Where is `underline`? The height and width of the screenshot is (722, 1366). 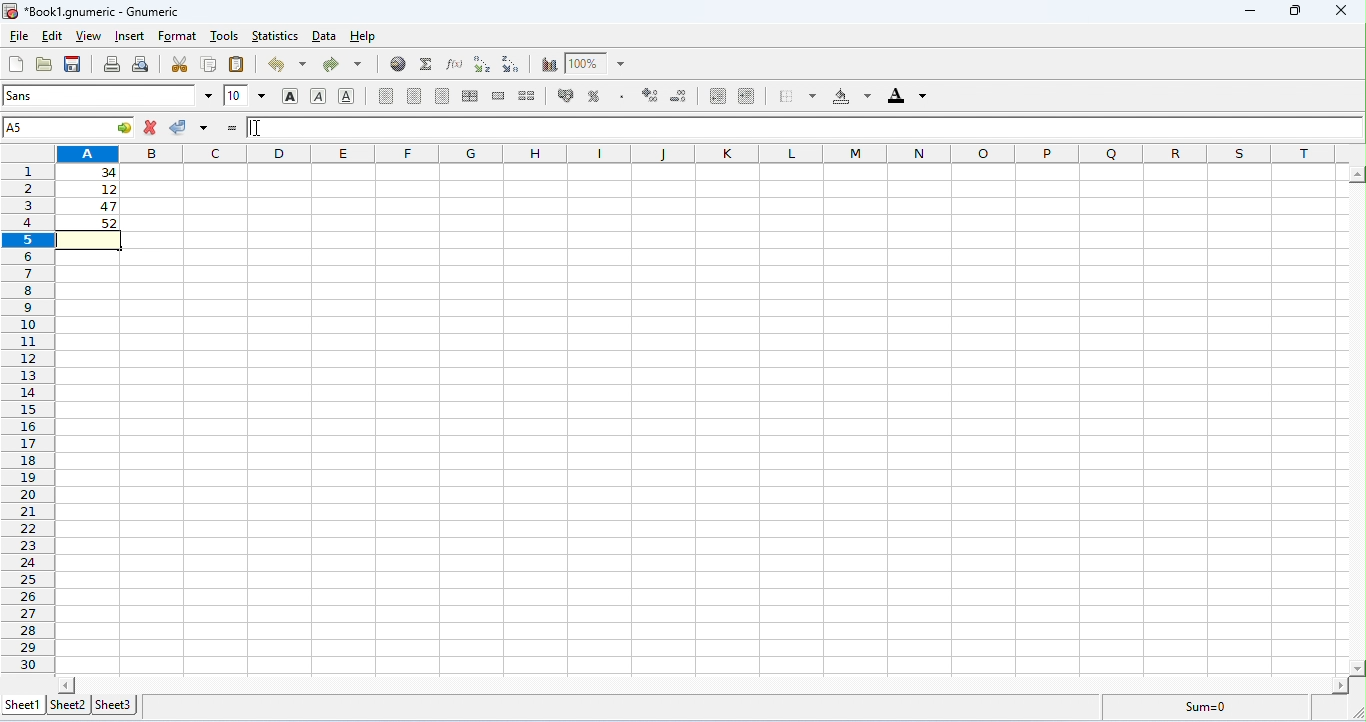
underline is located at coordinates (346, 95).